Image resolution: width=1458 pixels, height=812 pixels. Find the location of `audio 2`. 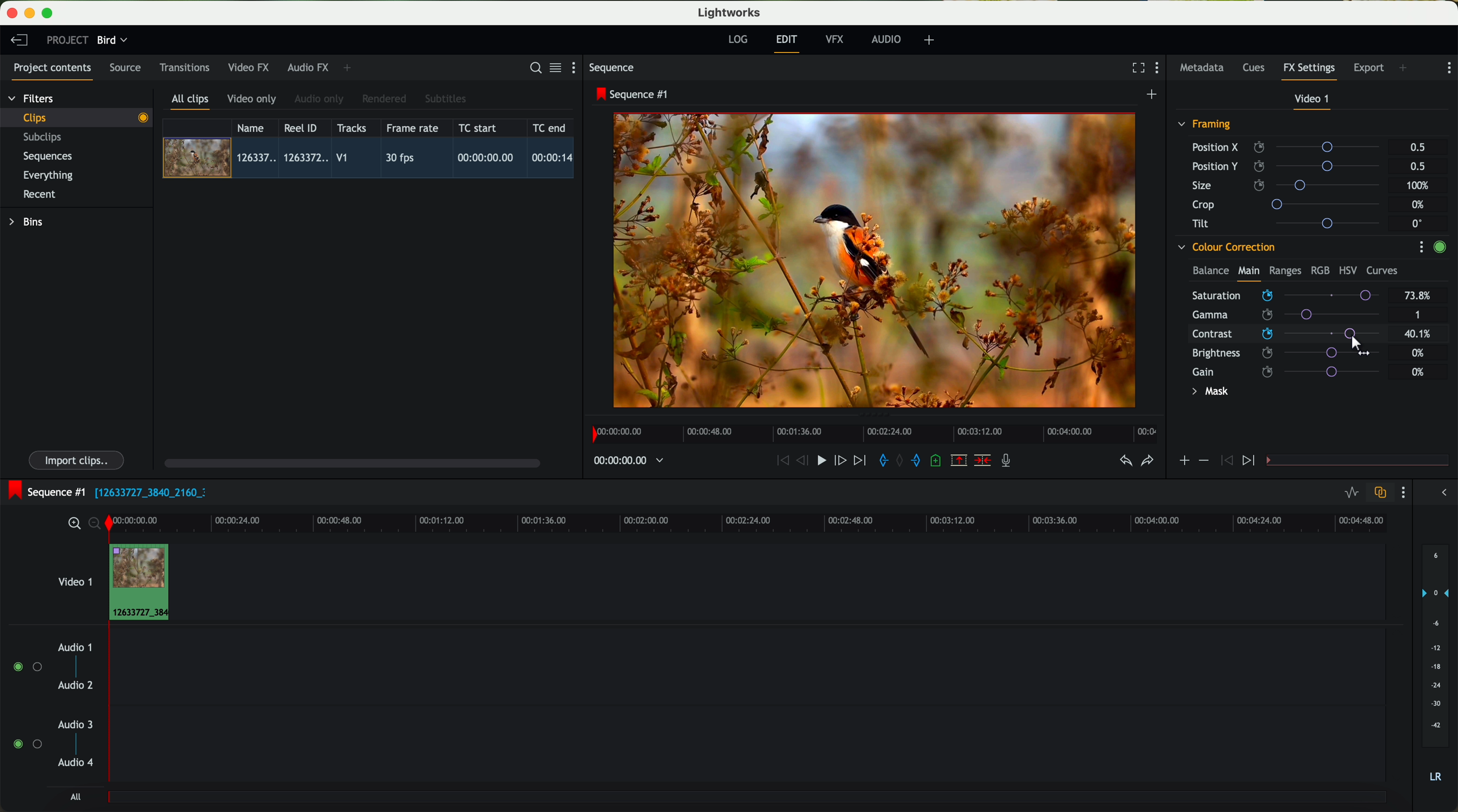

audio 2 is located at coordinates (76, 686).